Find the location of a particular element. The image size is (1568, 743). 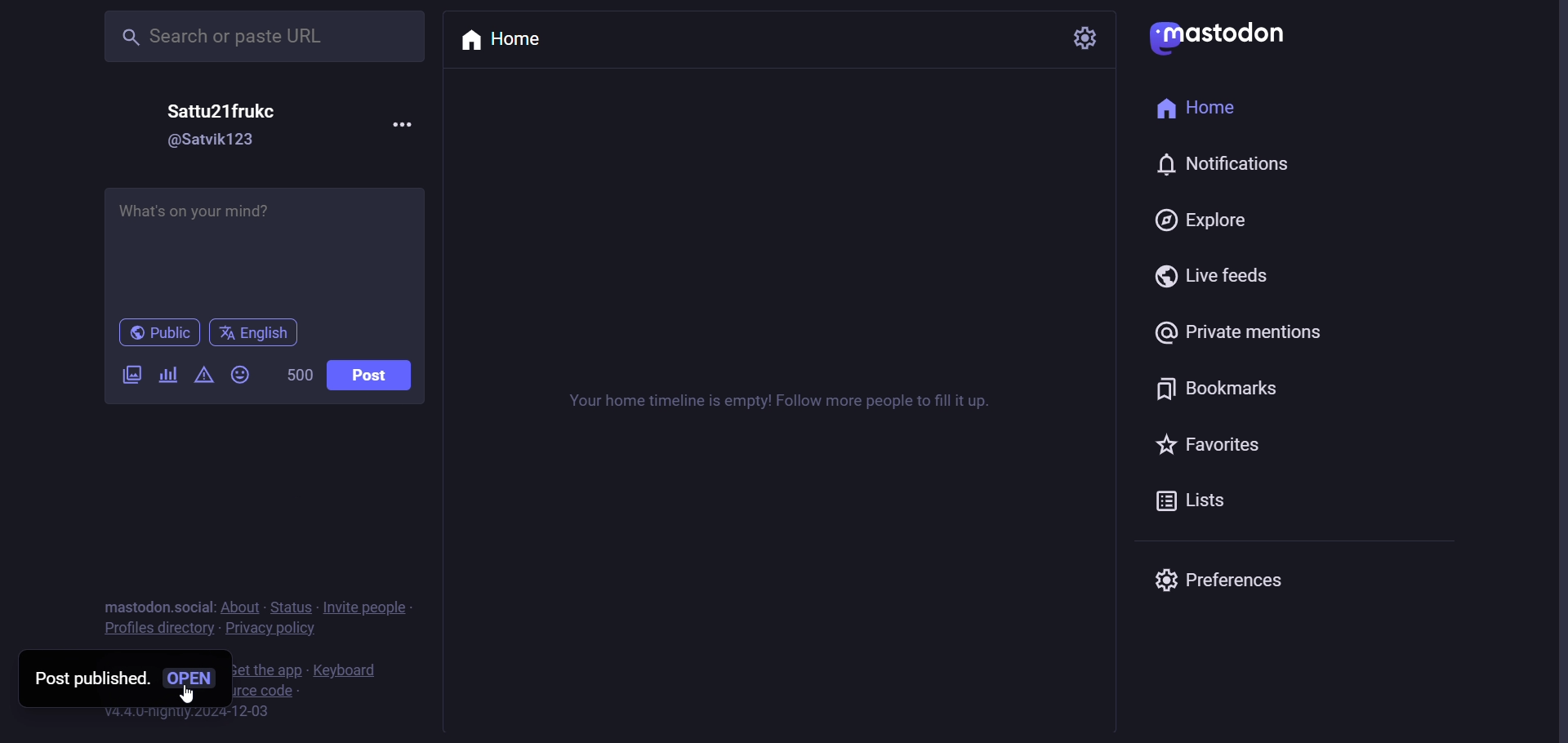

home is located at coordinates (1197, 108).